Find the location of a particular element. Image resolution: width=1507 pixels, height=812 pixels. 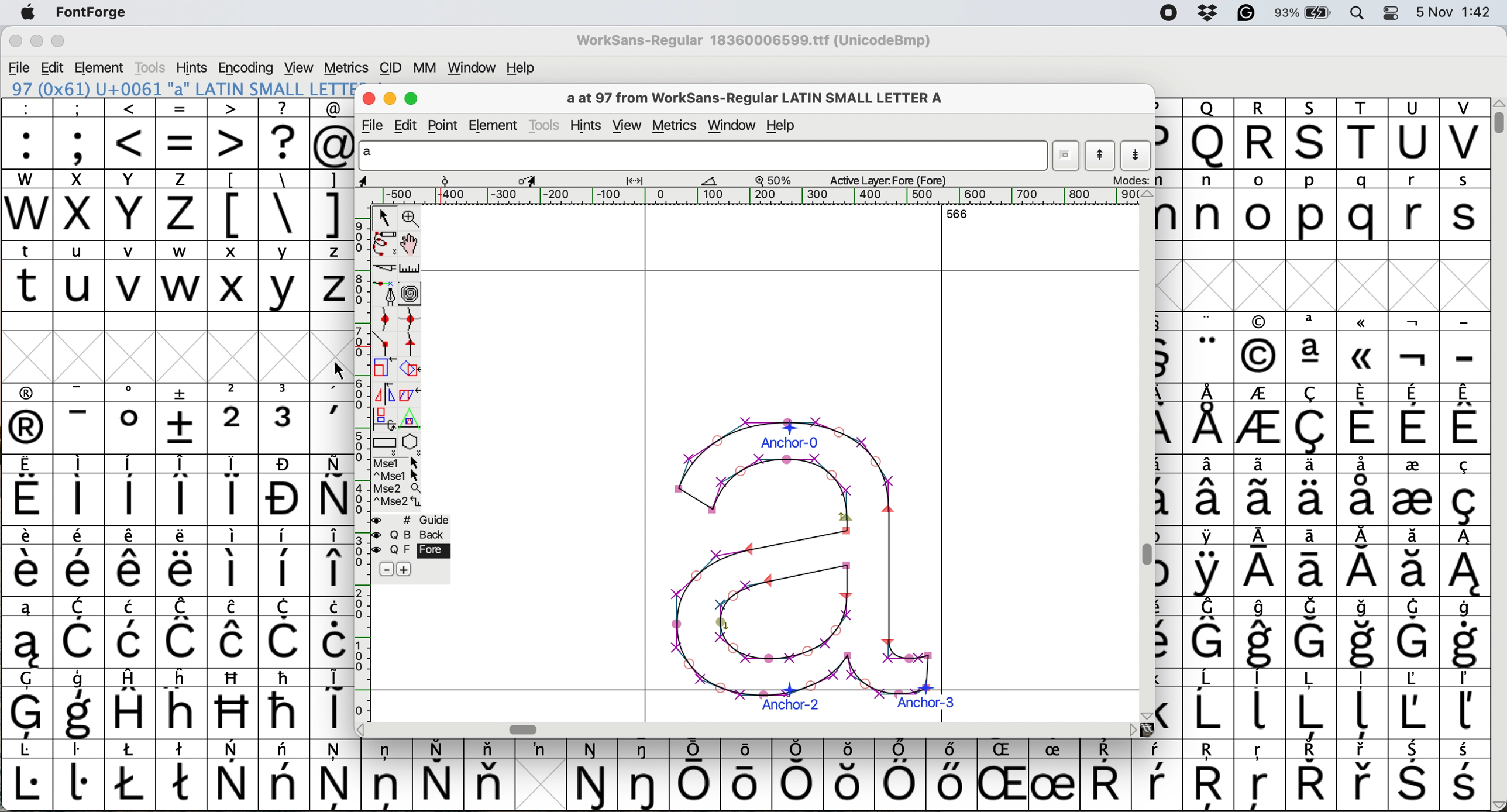

symbol is located at coordinates (183, 490).